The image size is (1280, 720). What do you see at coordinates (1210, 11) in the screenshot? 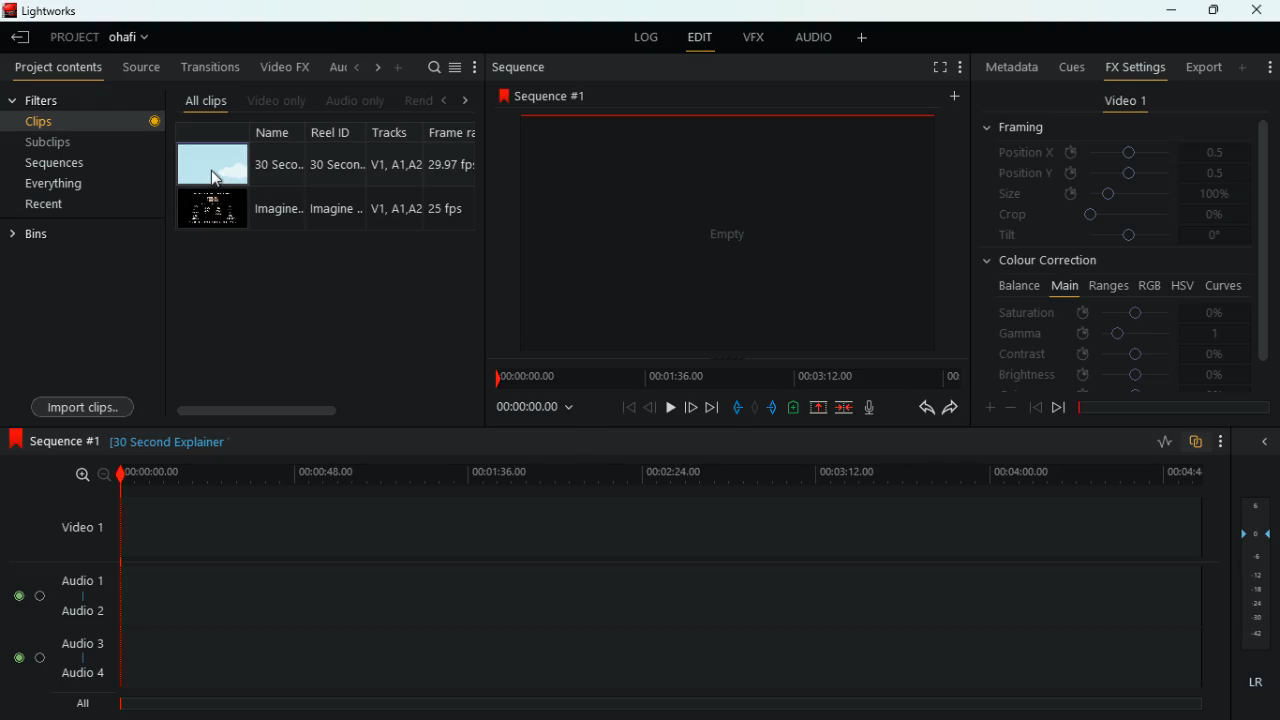
I see `maximize` at bounding box center [1210, 11].